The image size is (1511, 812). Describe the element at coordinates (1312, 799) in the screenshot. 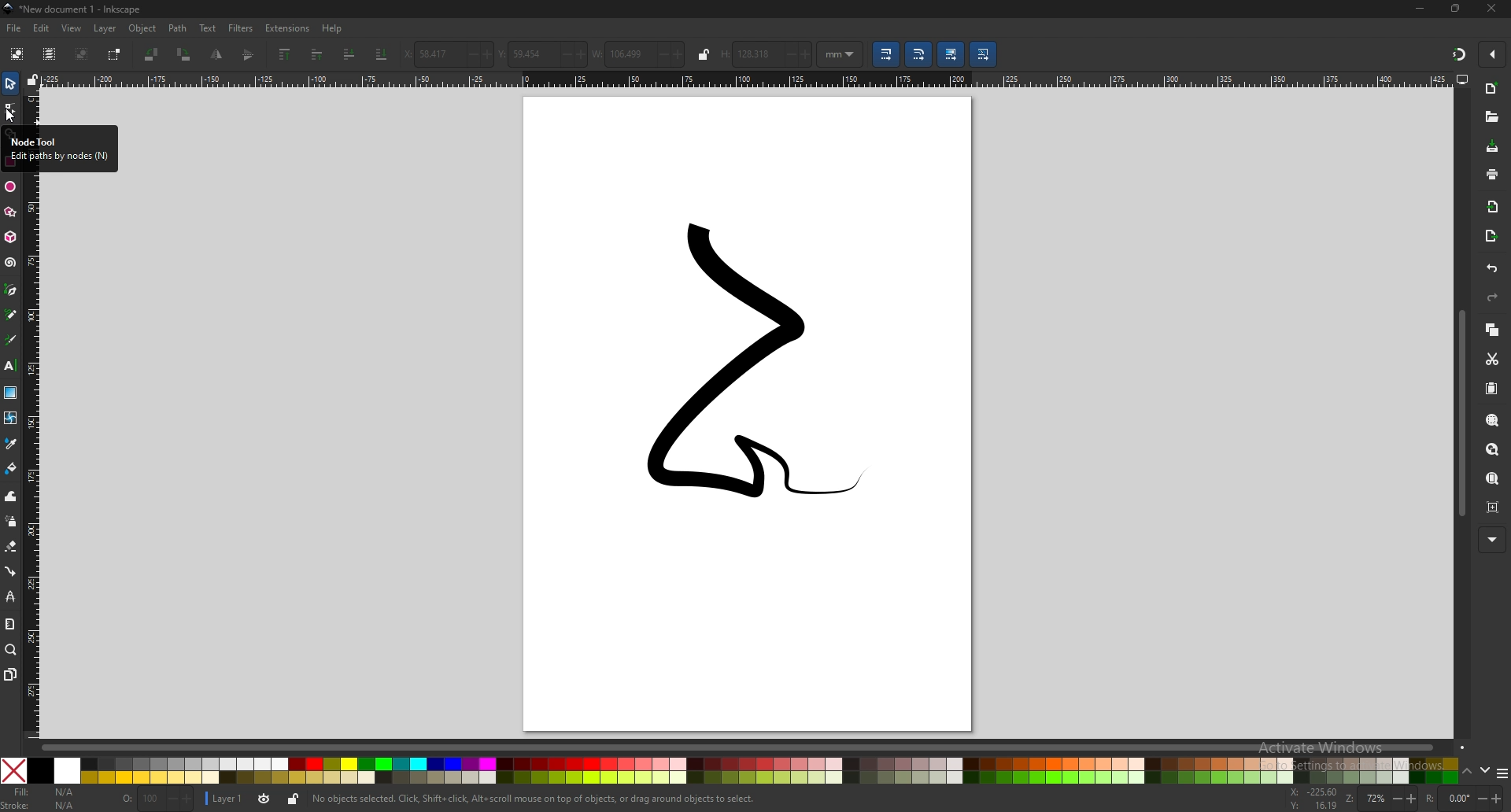

I see `mouse coordinates` at that location.